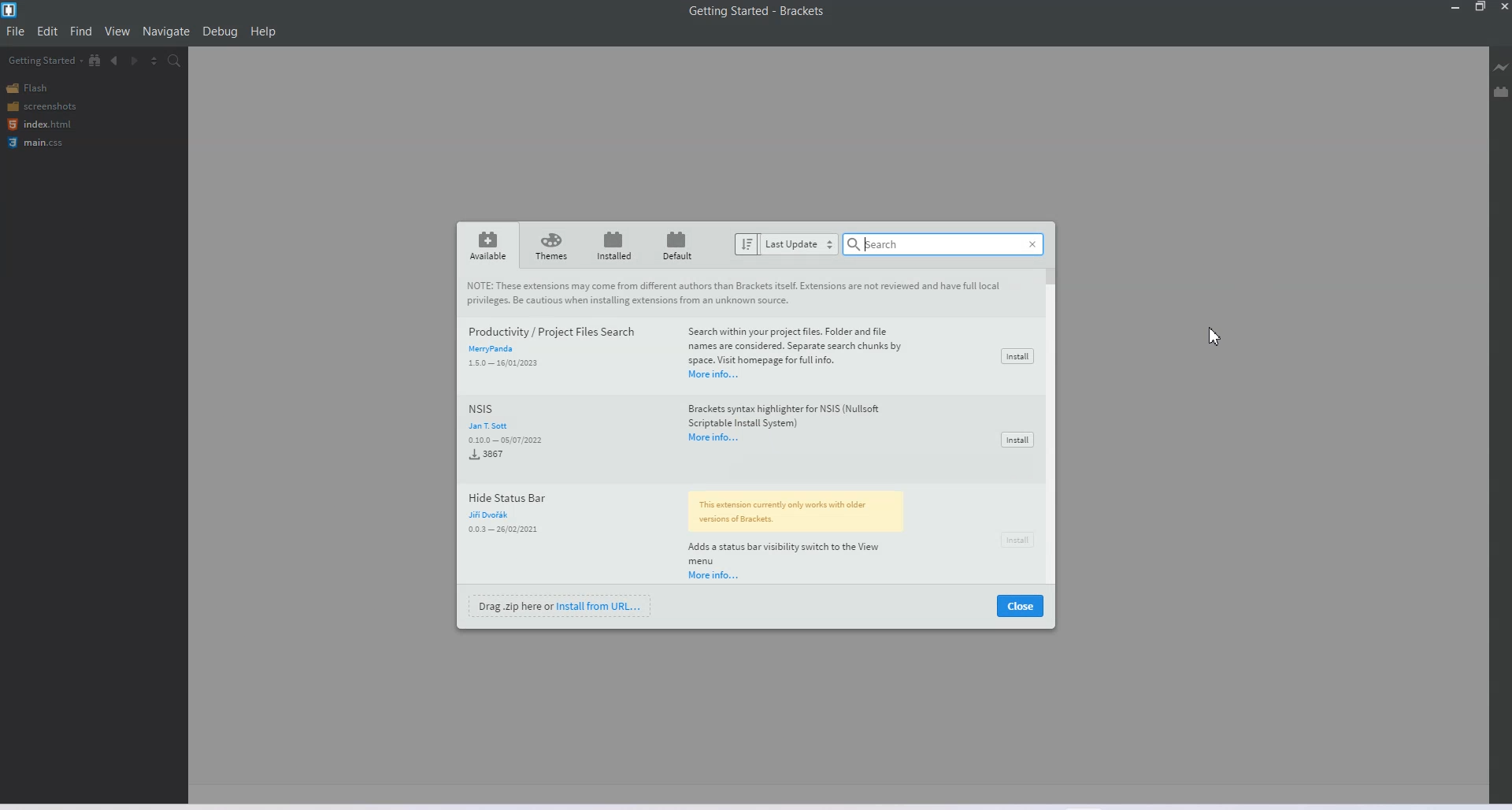  What do you see at coordinates (552, 244) in the screenshot?
I see `themes` at bounding box center [552, 244].